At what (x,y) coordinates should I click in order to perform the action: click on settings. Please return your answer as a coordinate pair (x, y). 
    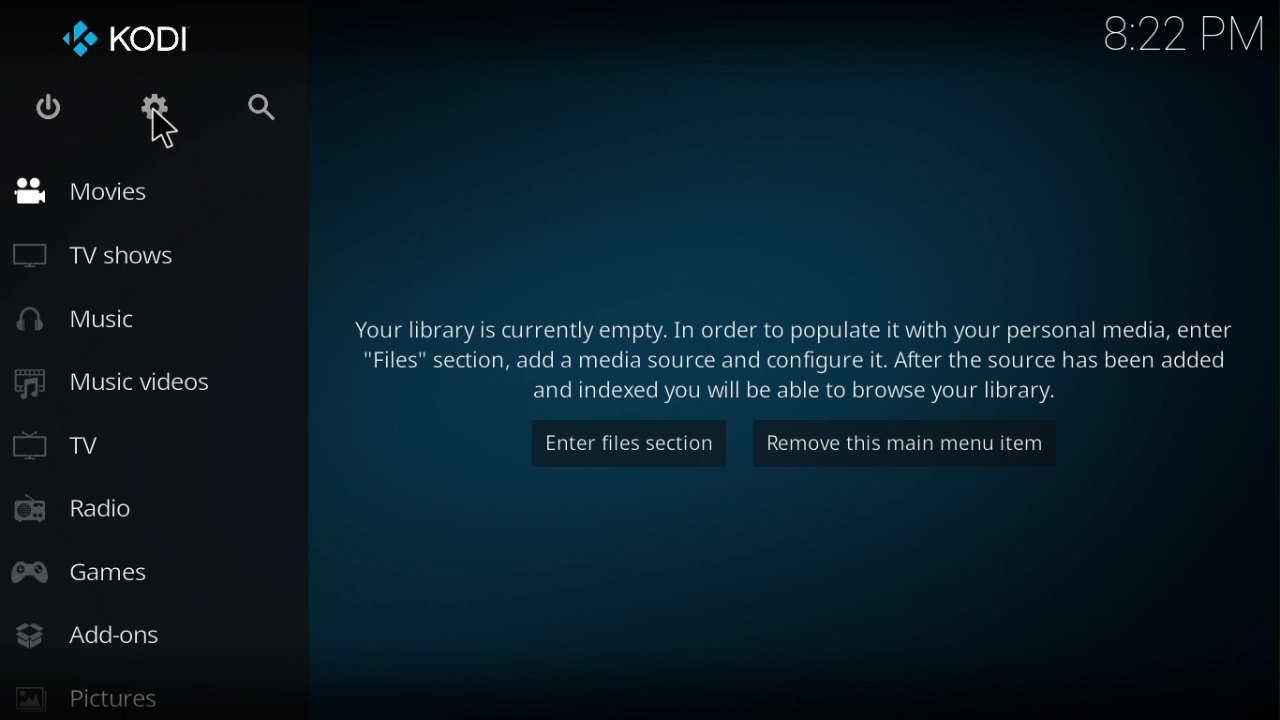
    Looking at the image, I should click on (154, 108).